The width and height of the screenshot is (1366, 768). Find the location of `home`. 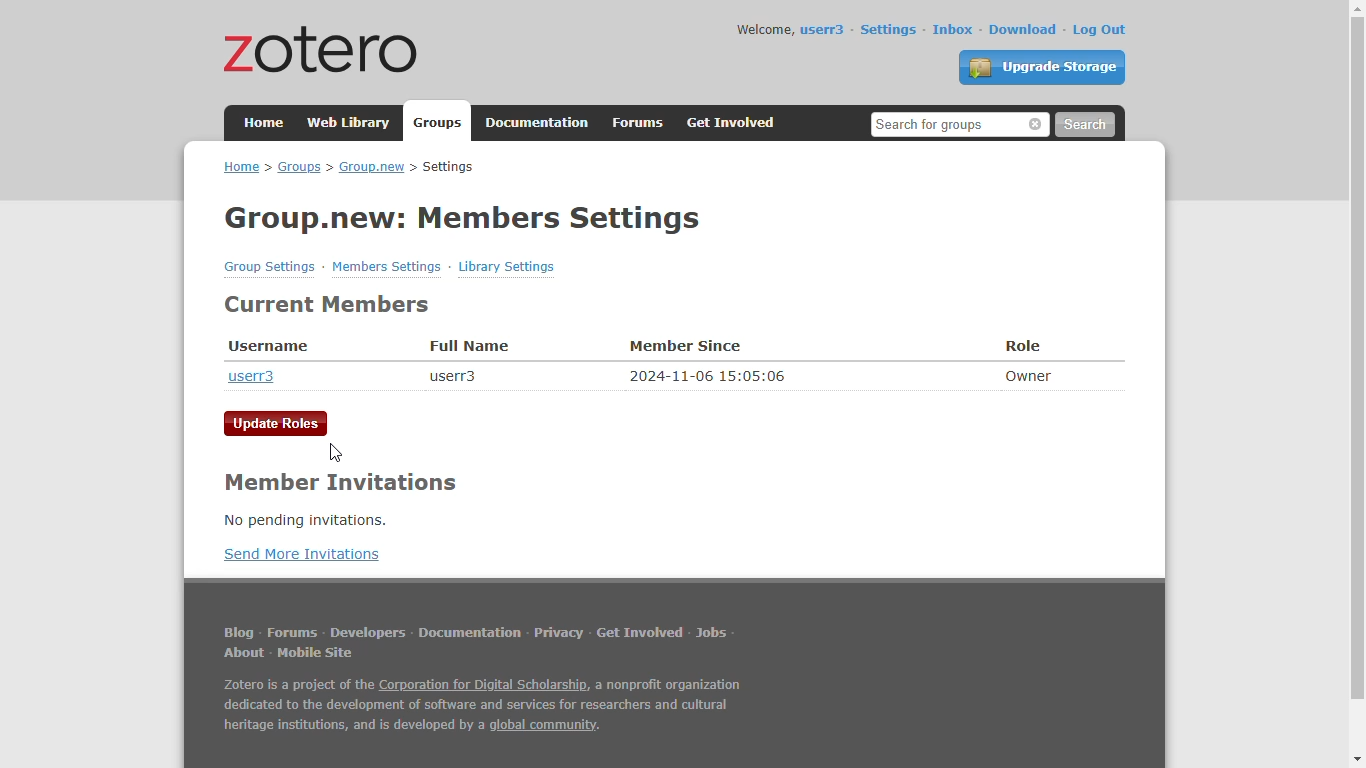

home is located at coordinates (265, 121).